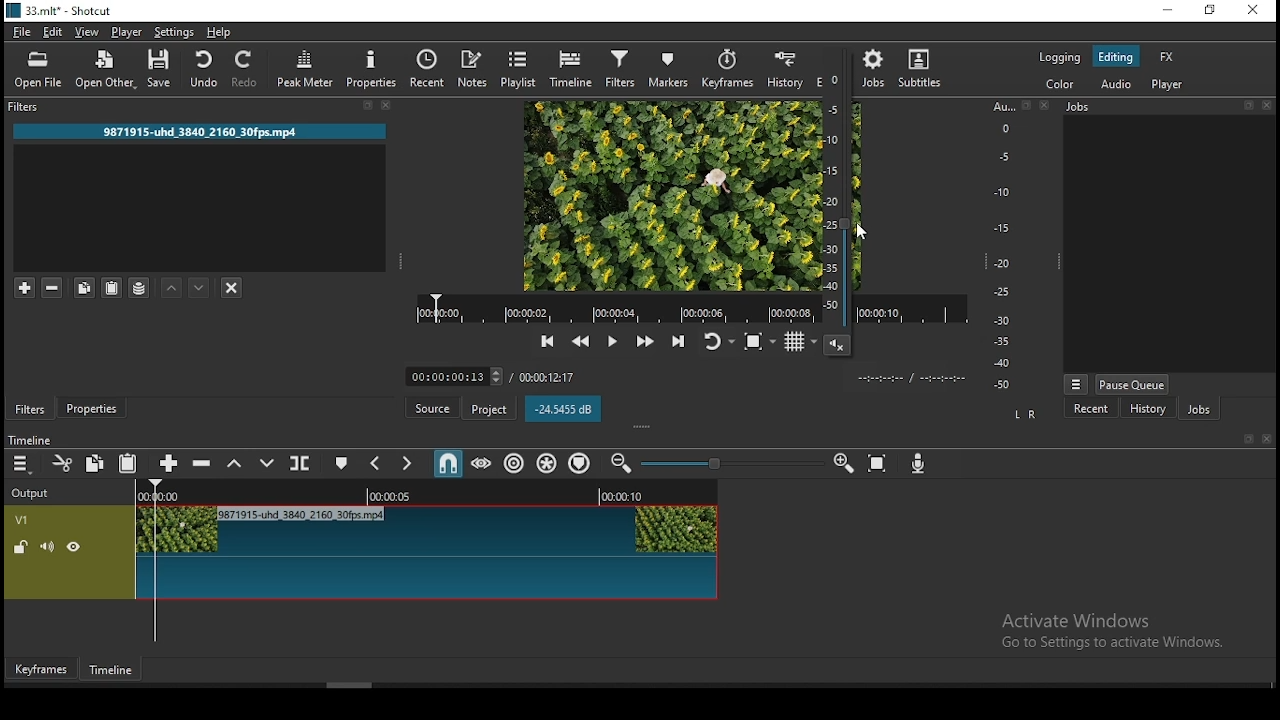  I want to click on lift, so click(235, 464).